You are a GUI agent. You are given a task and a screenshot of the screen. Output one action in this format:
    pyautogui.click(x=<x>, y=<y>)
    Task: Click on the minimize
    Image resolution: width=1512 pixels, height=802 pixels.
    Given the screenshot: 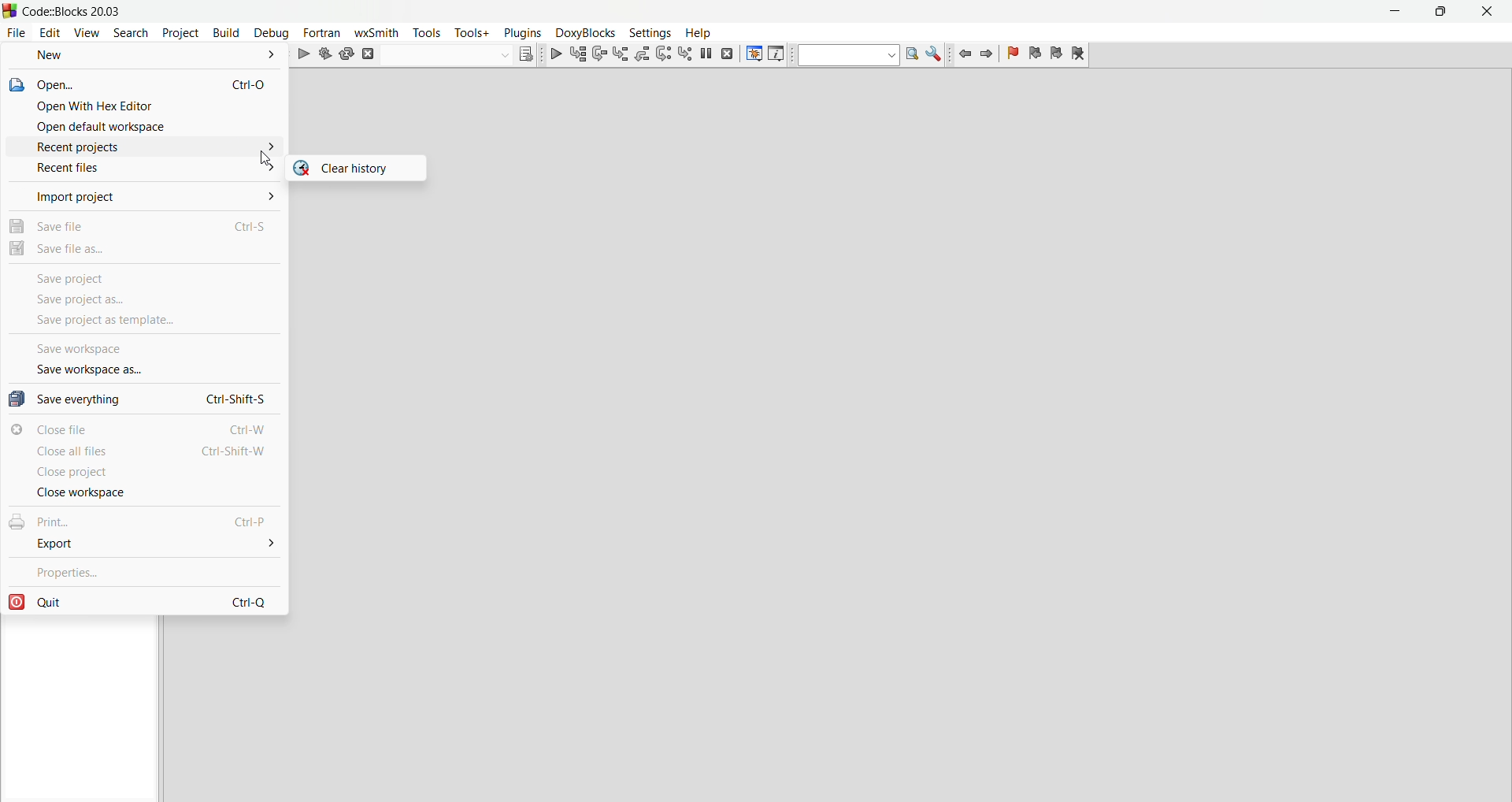 What is the action you would take?
    pyautogui.click(x=1396, y=13)
    